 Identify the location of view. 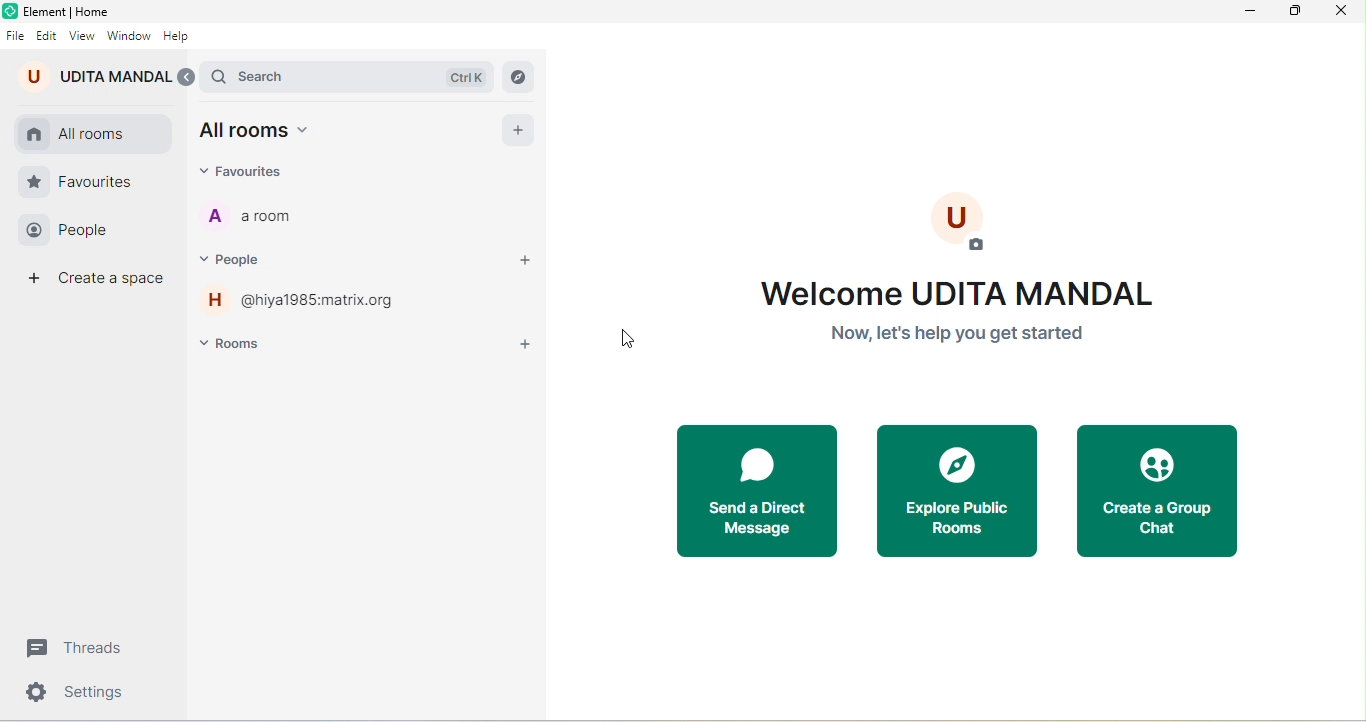
(82, 36).